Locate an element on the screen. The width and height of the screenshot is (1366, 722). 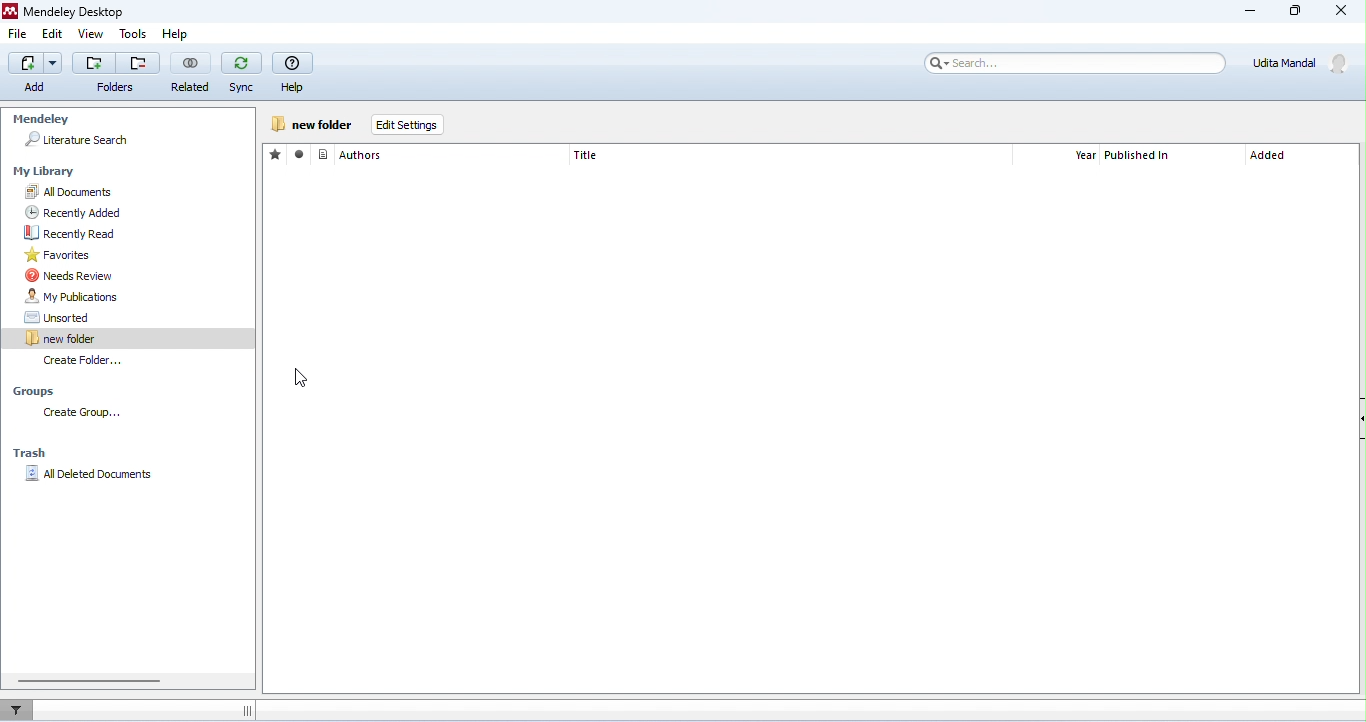
folders is located at coordinates (114, 87).